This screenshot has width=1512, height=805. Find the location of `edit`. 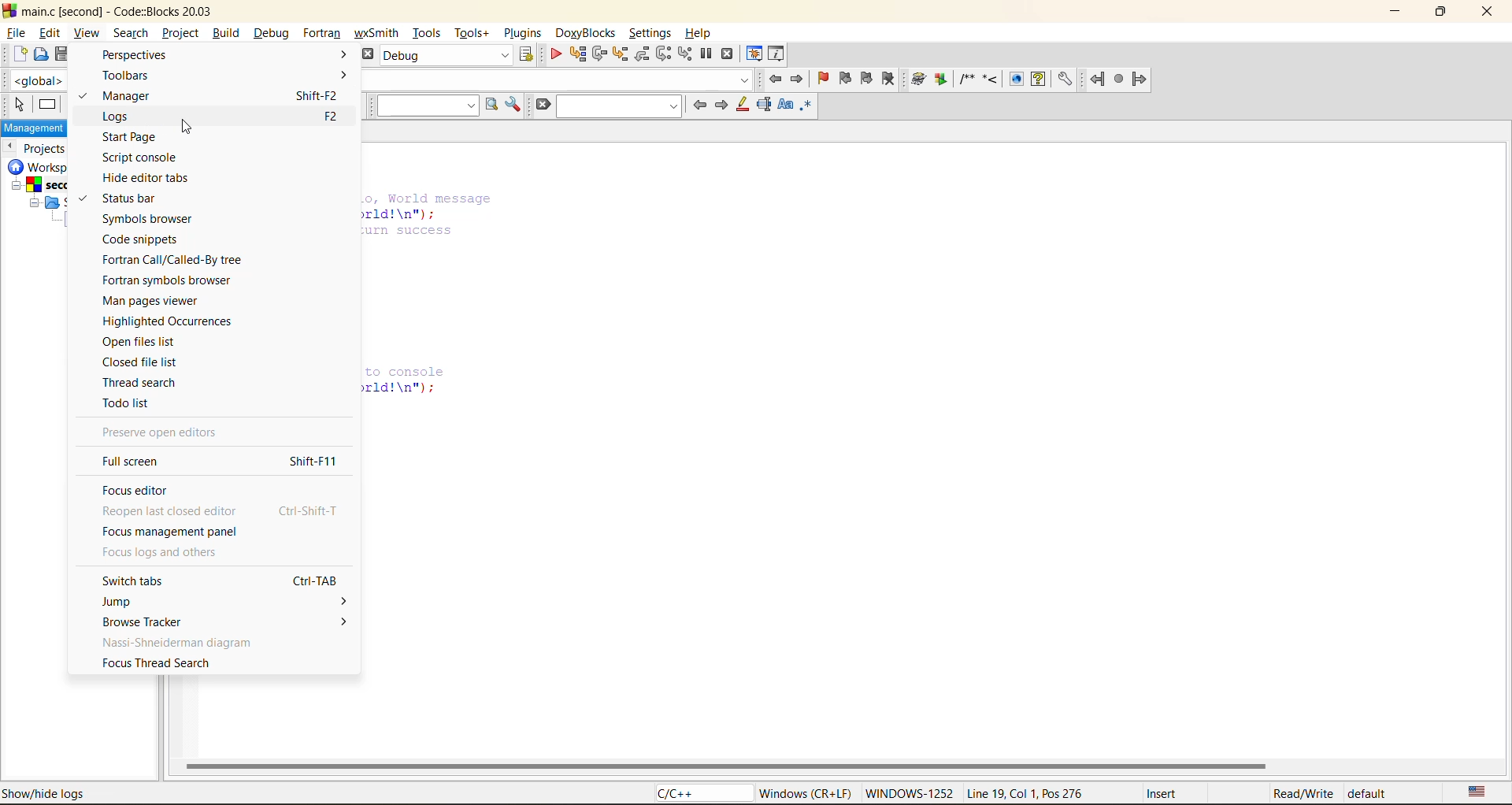

edit is located at coordinates (50, 31).